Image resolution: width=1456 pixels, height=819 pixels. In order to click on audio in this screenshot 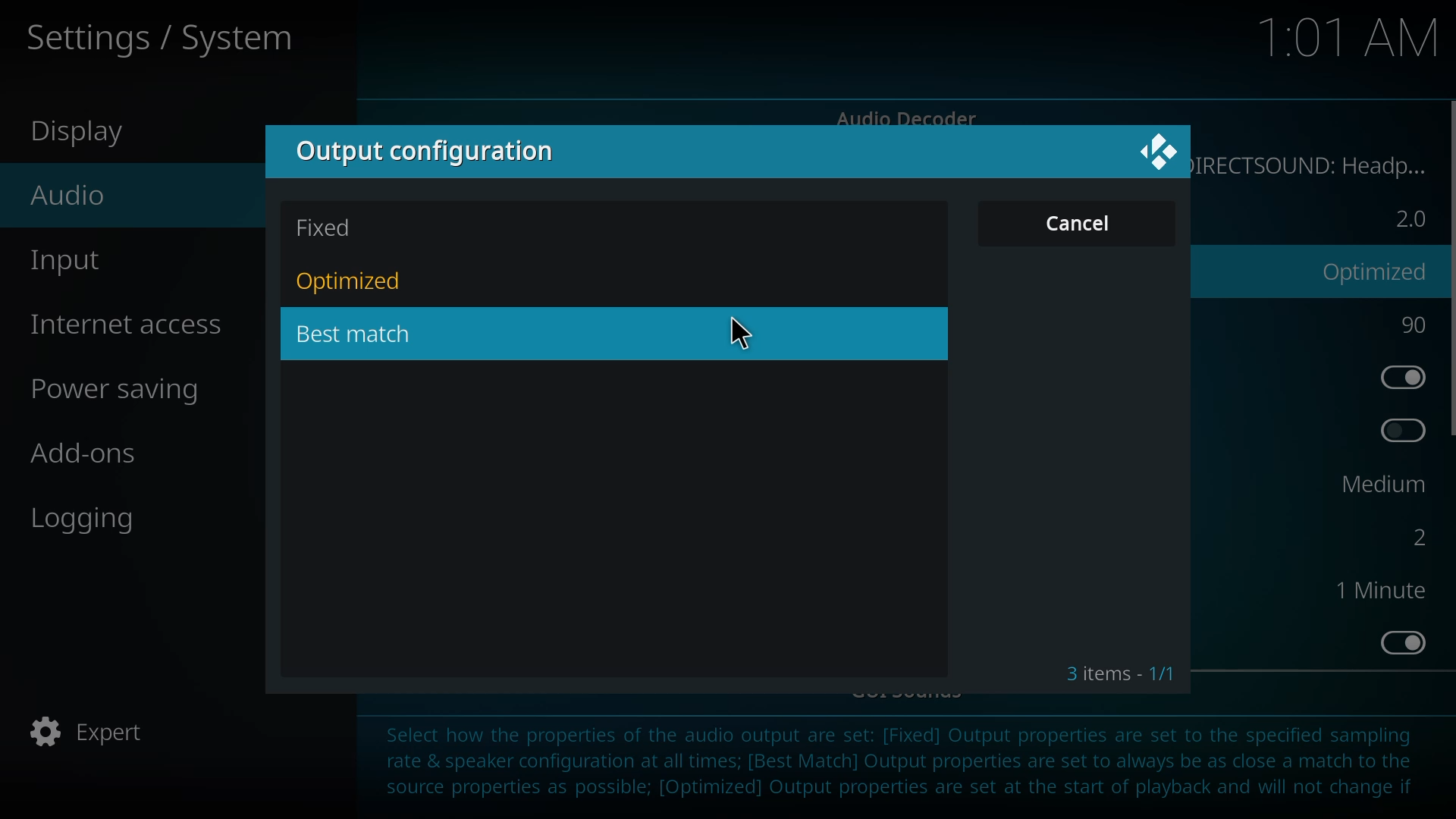, I will do `click(77, 198)`.